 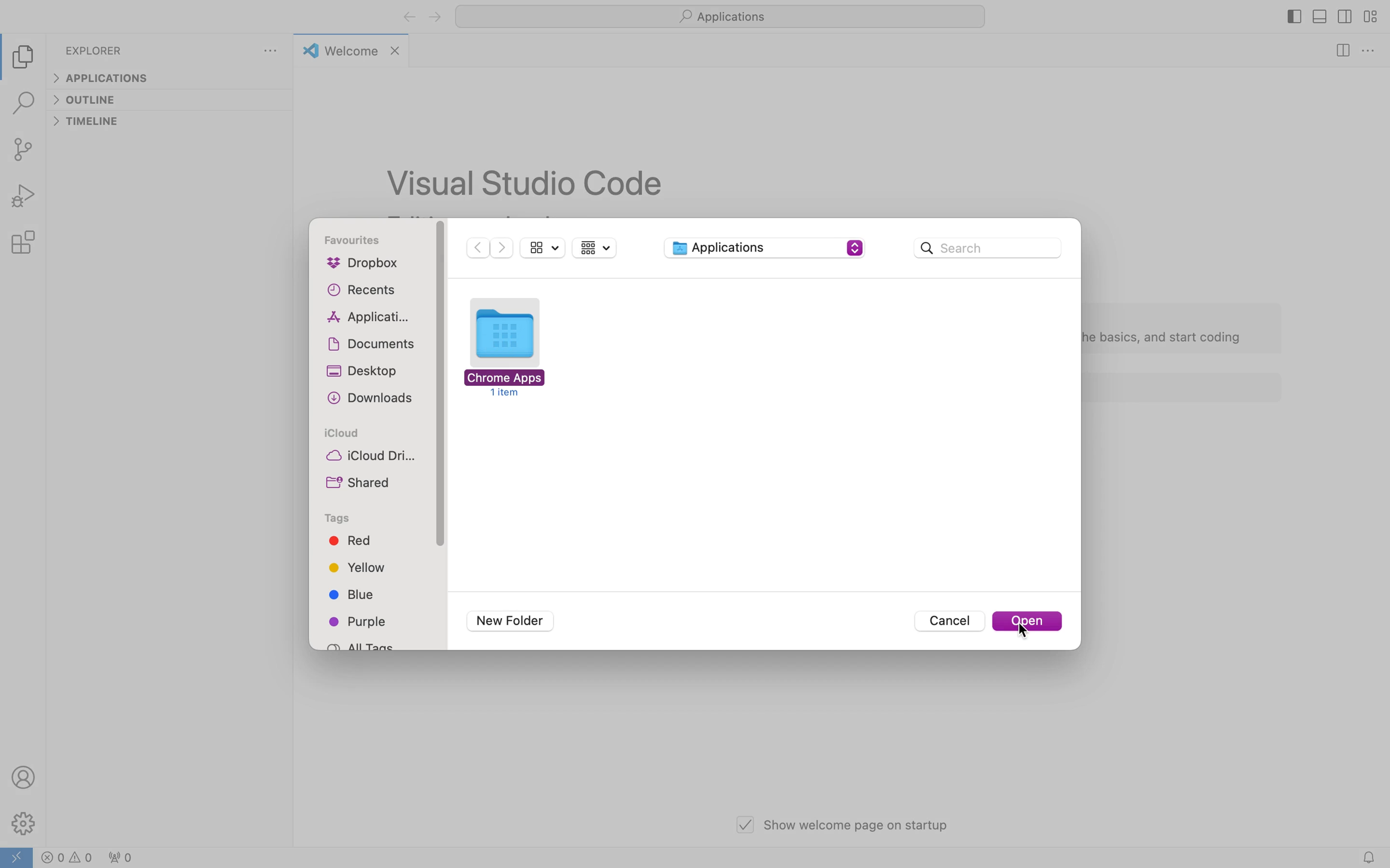 I want to click on toggle secondary side bar, so click(x=1343, y=20).